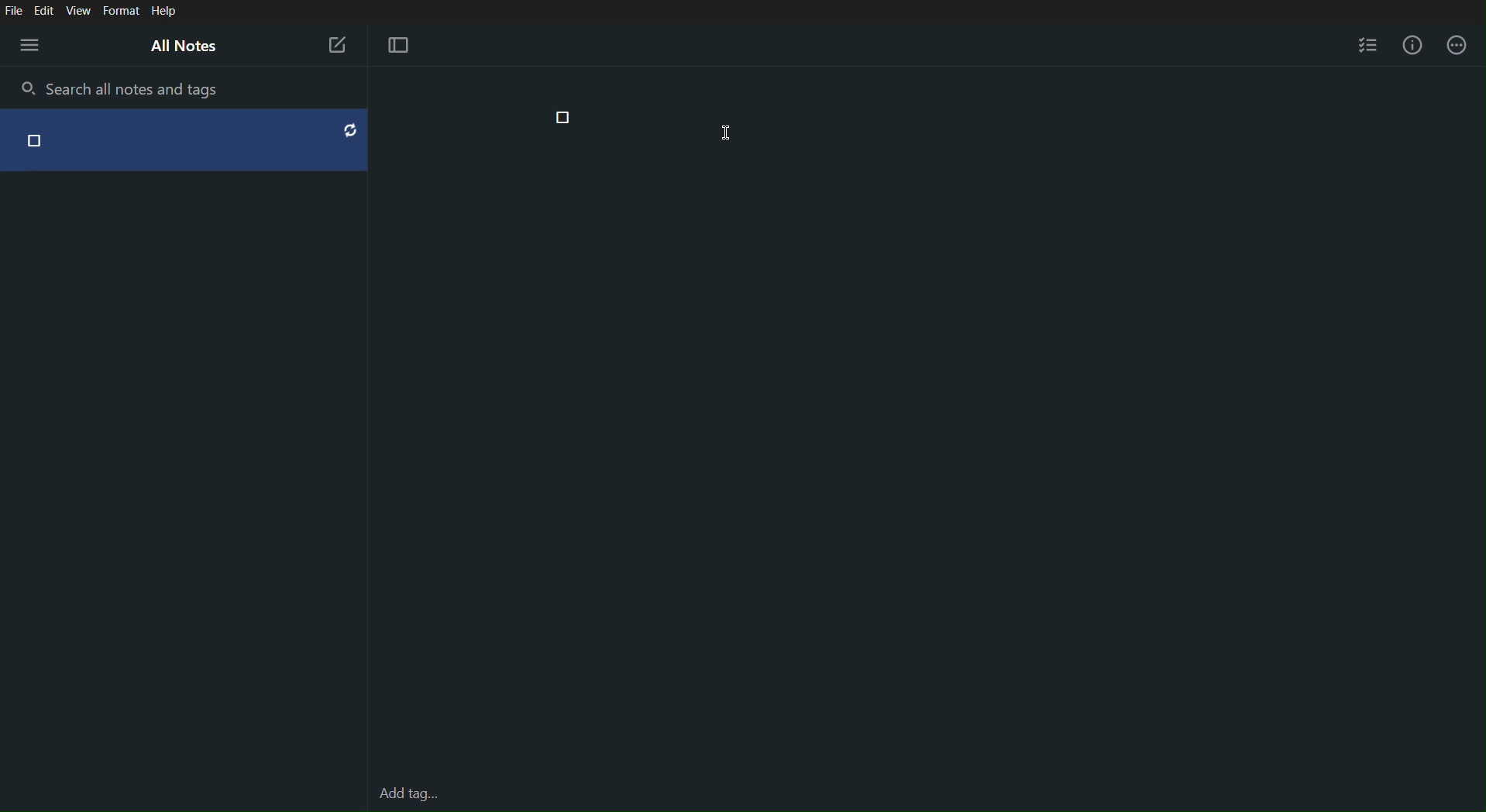 Image resolution: width=1486 pixels, height=812 pixels. What do you see at coordinates (1416, 45) in the screenshot?
I see `Info` at bounding box center [1416, 45].